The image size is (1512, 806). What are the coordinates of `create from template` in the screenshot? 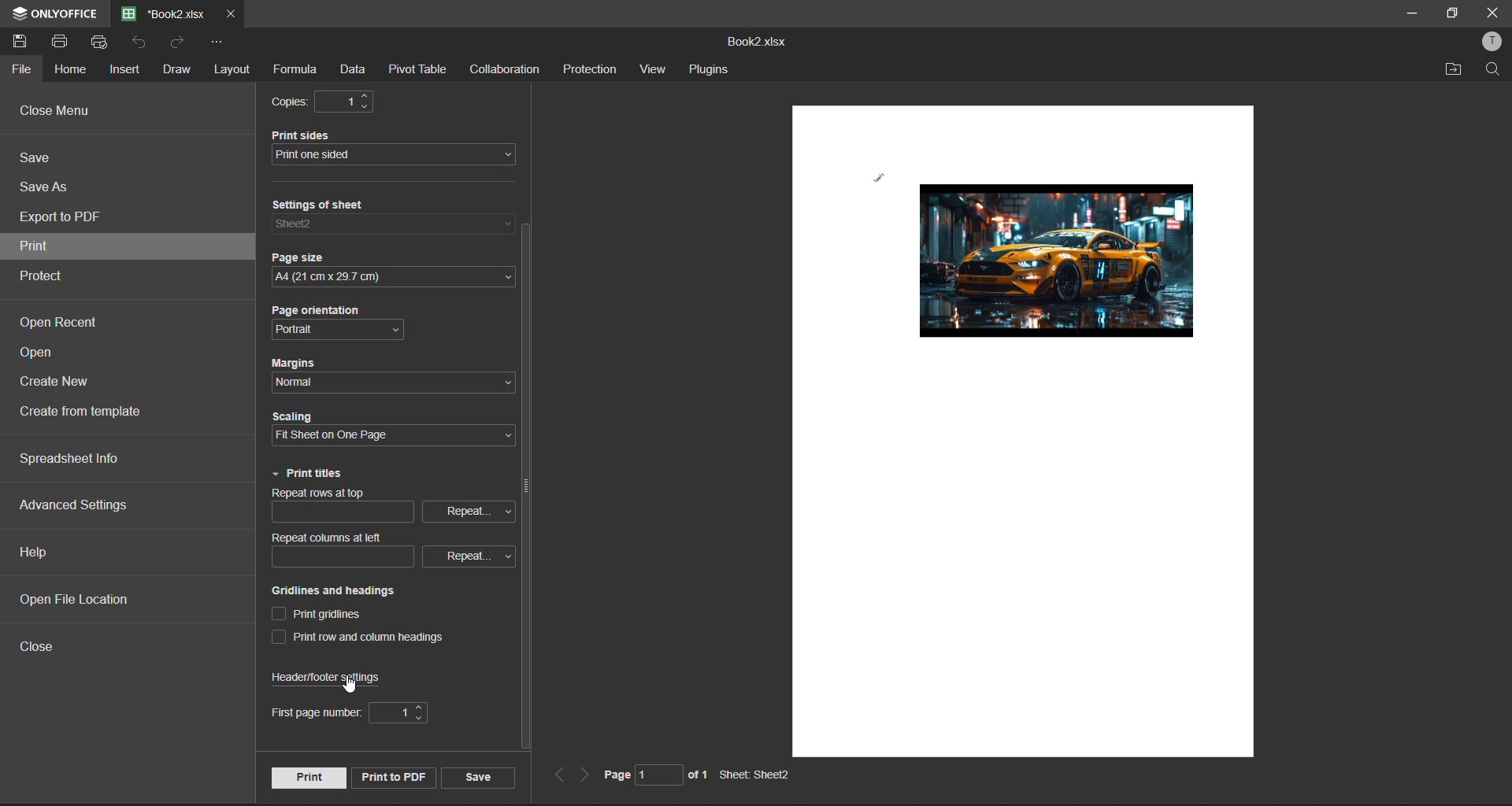 It's located at (89, 412).